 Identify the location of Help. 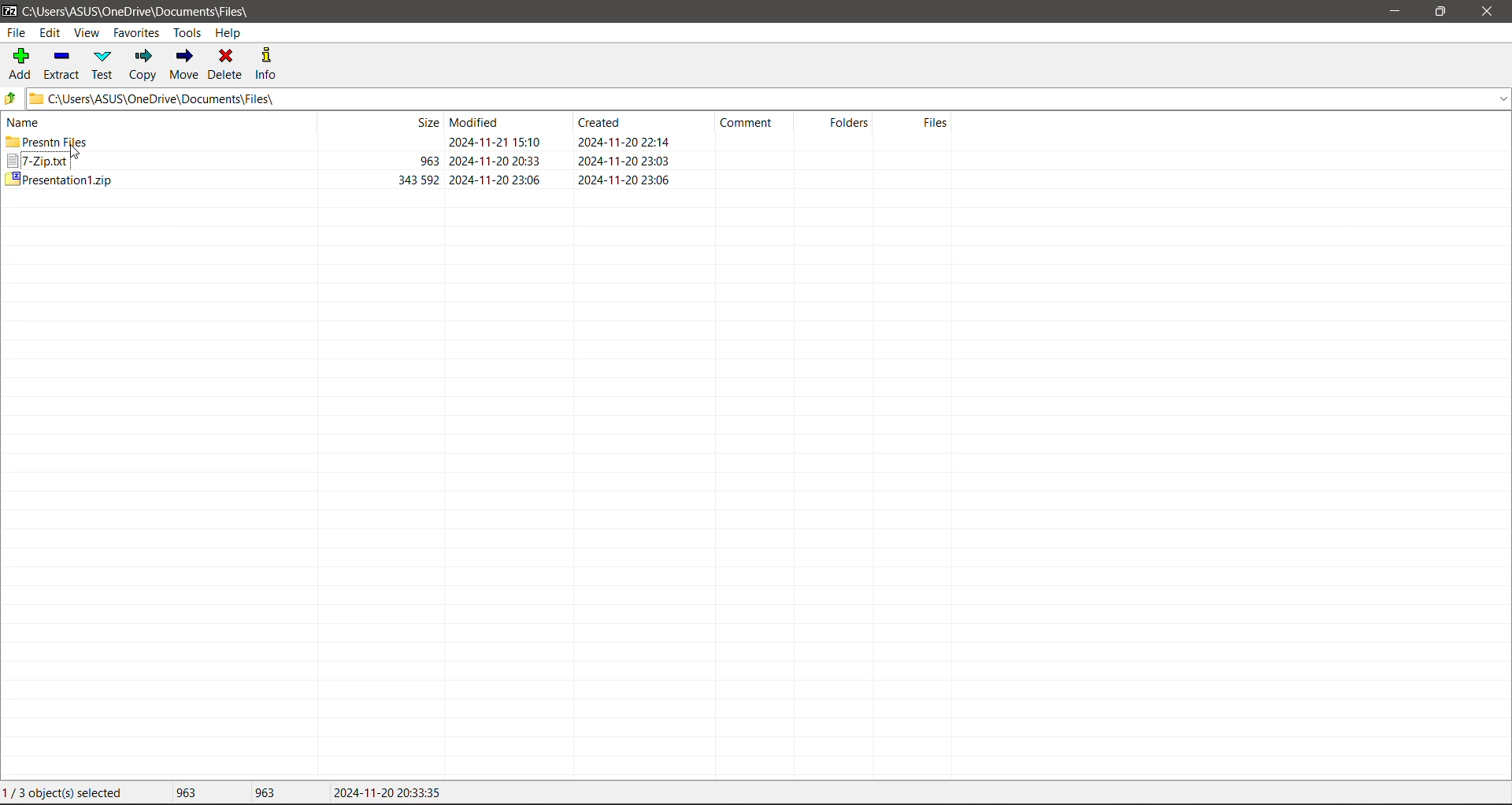
(228, 33).